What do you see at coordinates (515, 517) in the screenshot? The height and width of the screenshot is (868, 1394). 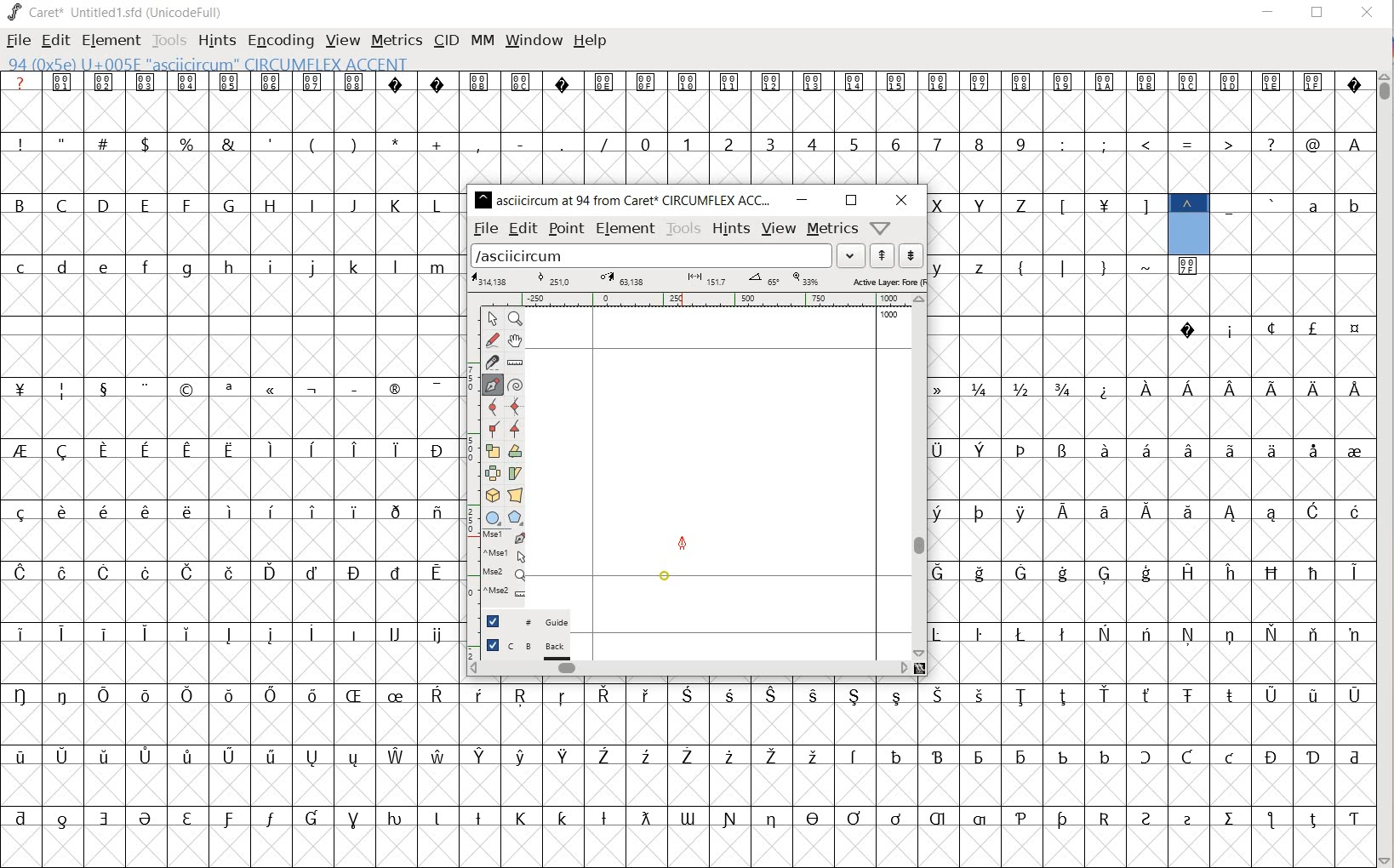 I see `polygon or star` at bounding box center [515, 517].